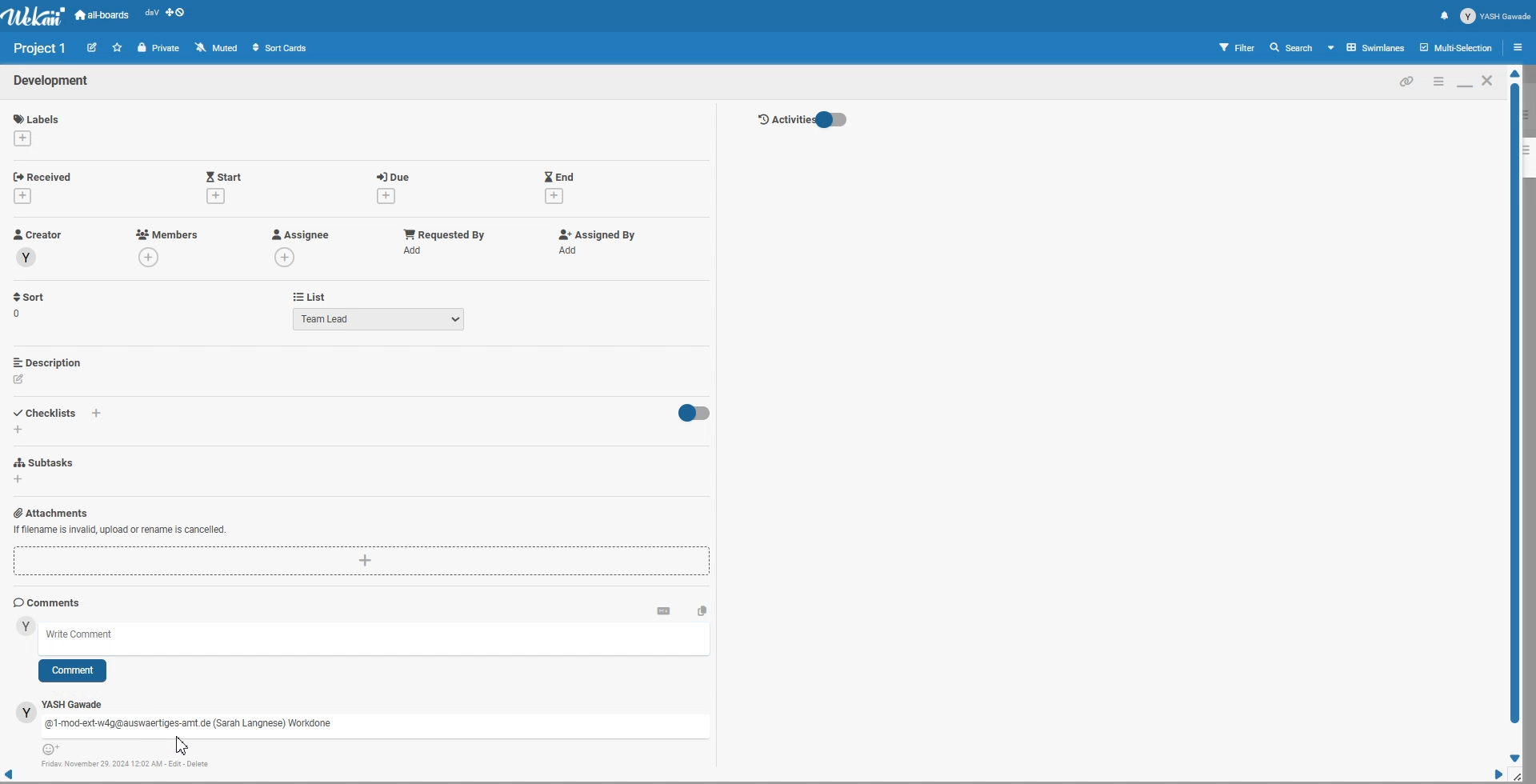  I want to click on avatar, so click(26, 712).